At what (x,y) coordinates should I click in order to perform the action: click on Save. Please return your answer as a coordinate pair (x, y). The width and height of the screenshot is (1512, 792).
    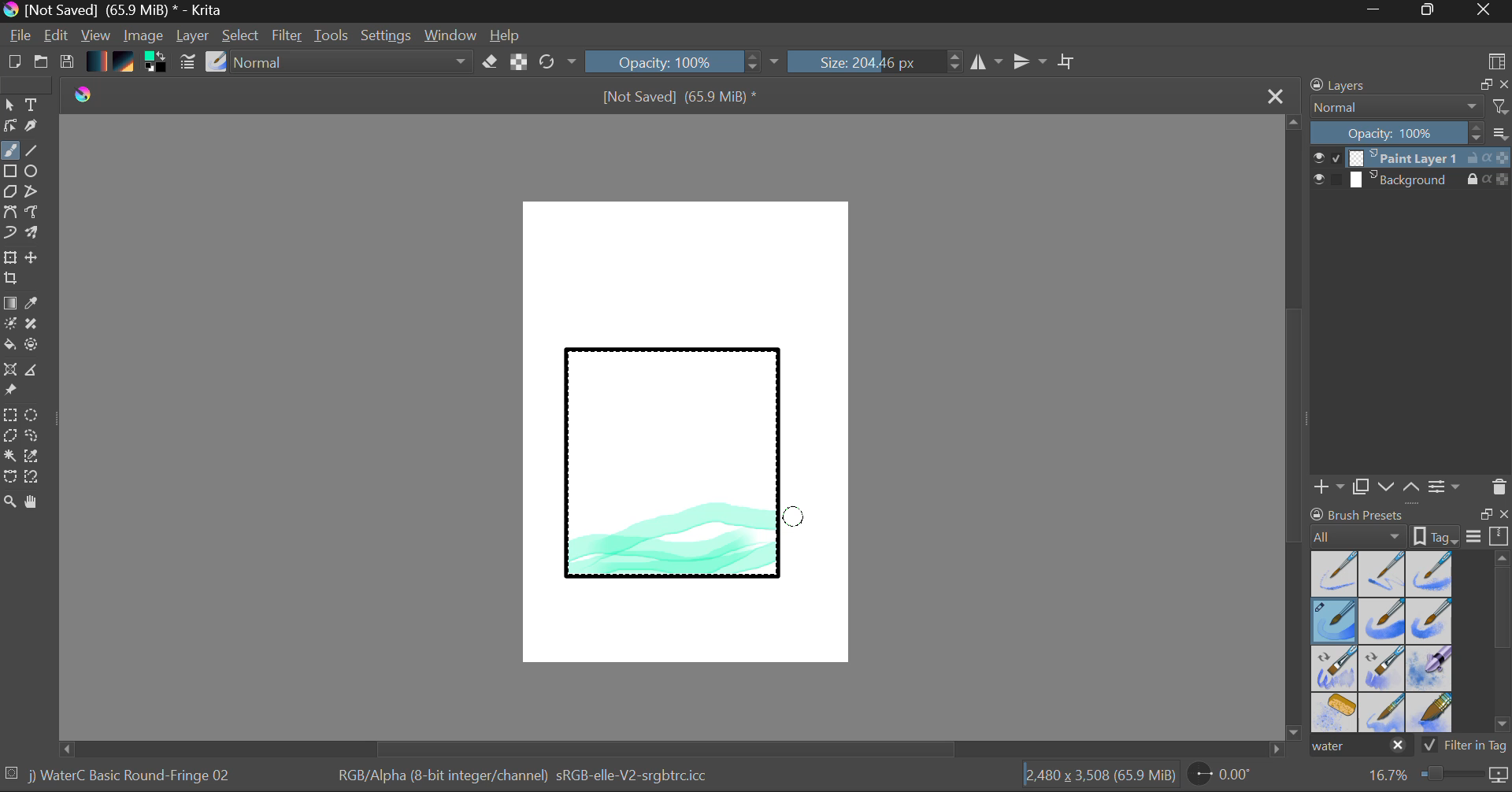
    Looking at the image, I should click on (66, 63).